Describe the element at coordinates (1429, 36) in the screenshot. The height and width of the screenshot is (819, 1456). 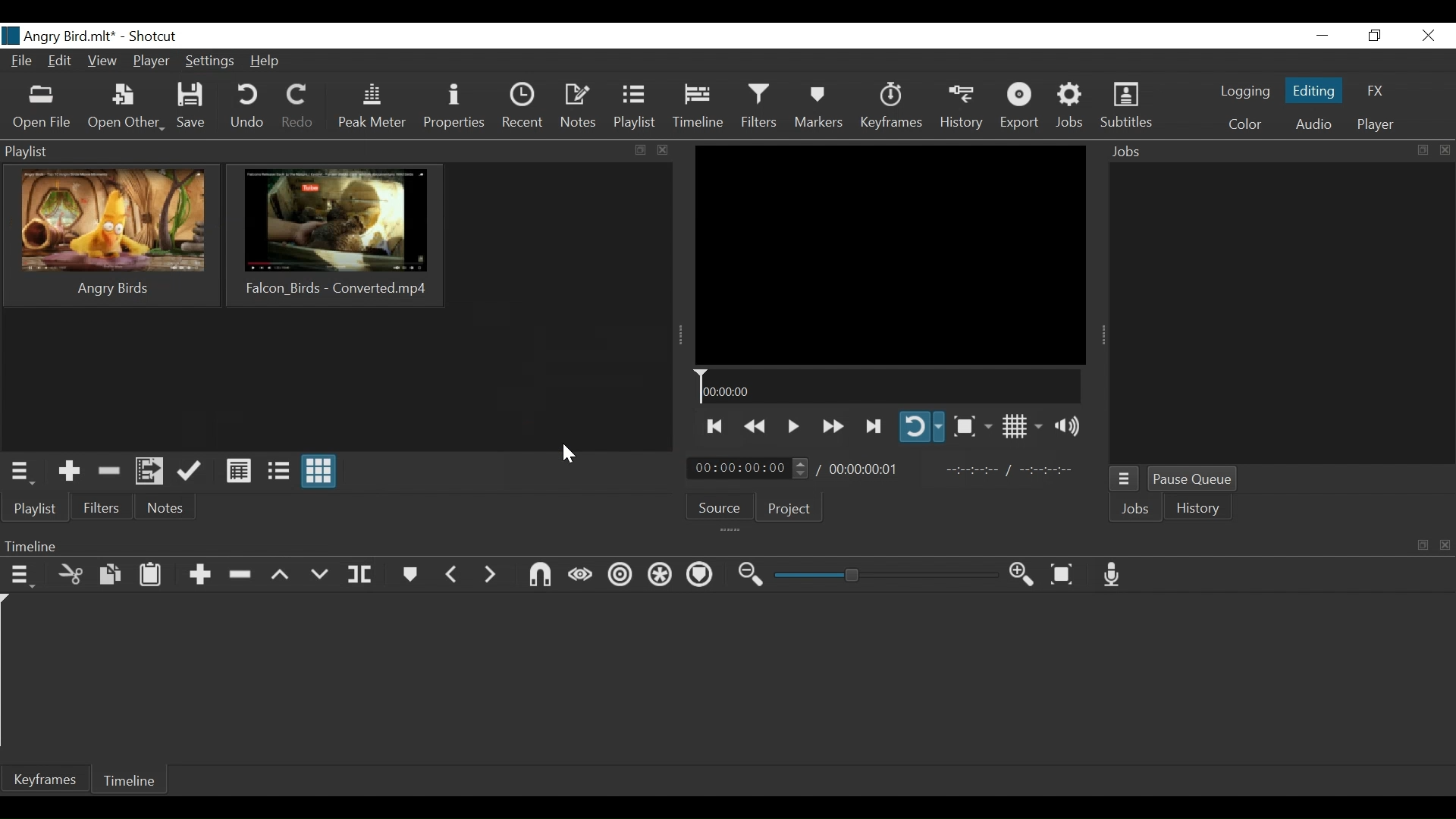
I see `Close` at that location.